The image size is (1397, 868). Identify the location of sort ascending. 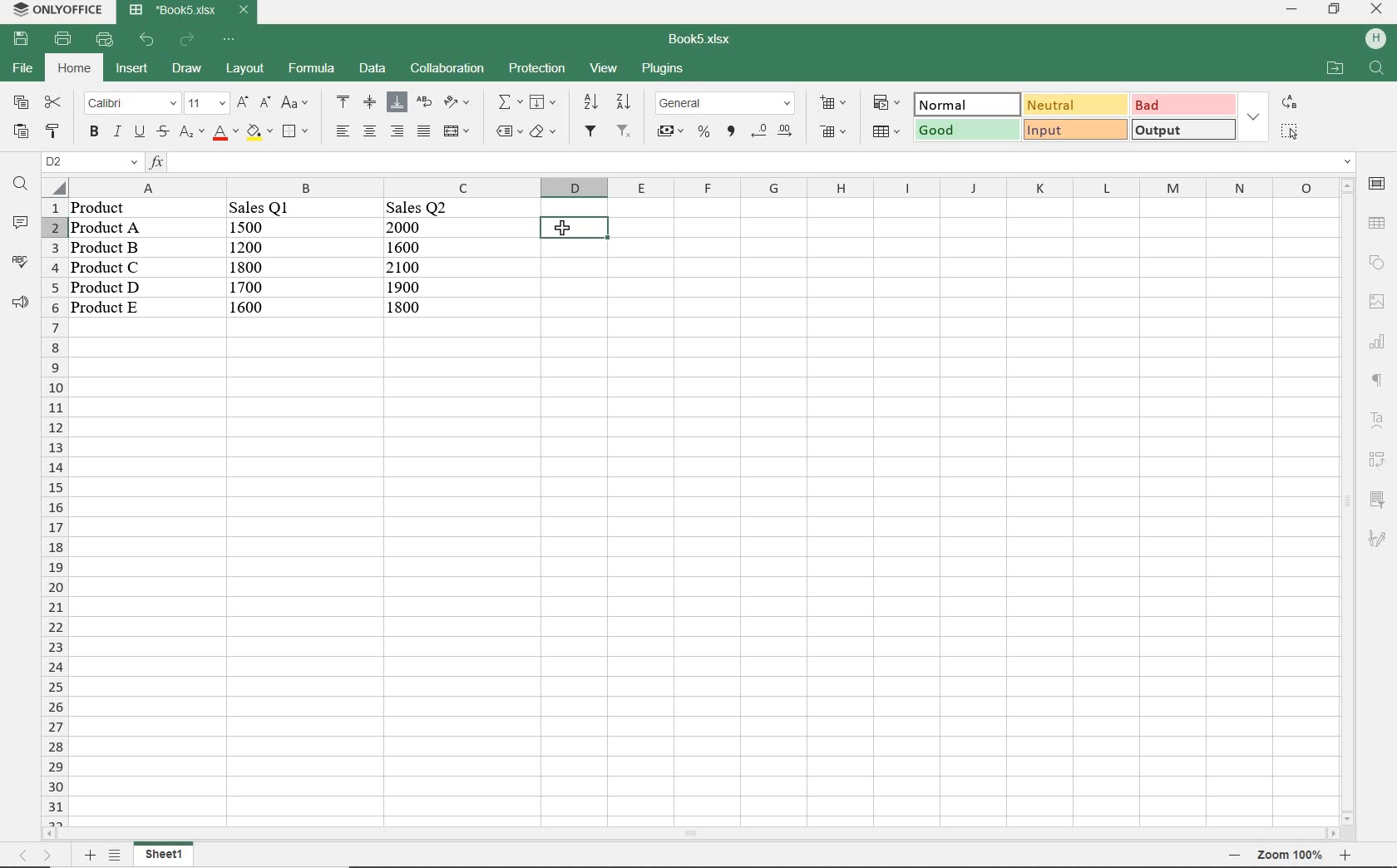
(590, 102).